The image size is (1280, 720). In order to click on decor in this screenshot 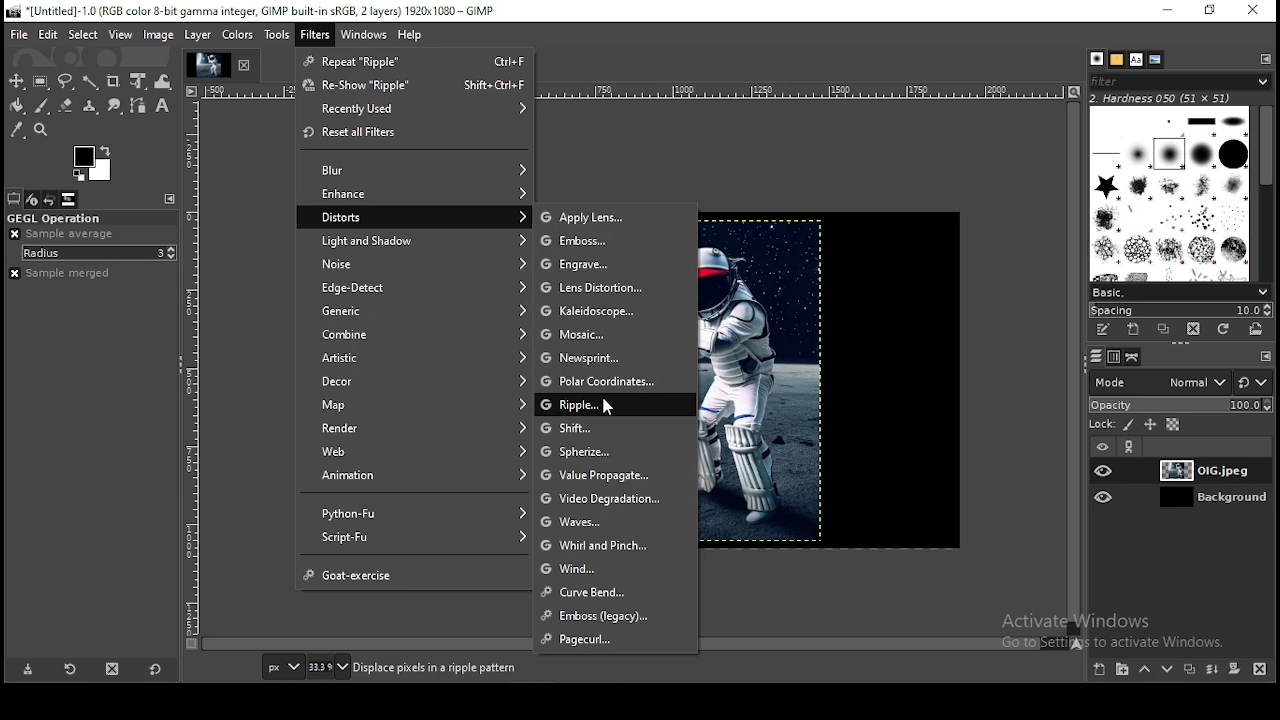, I will do `click(417, 380)`.